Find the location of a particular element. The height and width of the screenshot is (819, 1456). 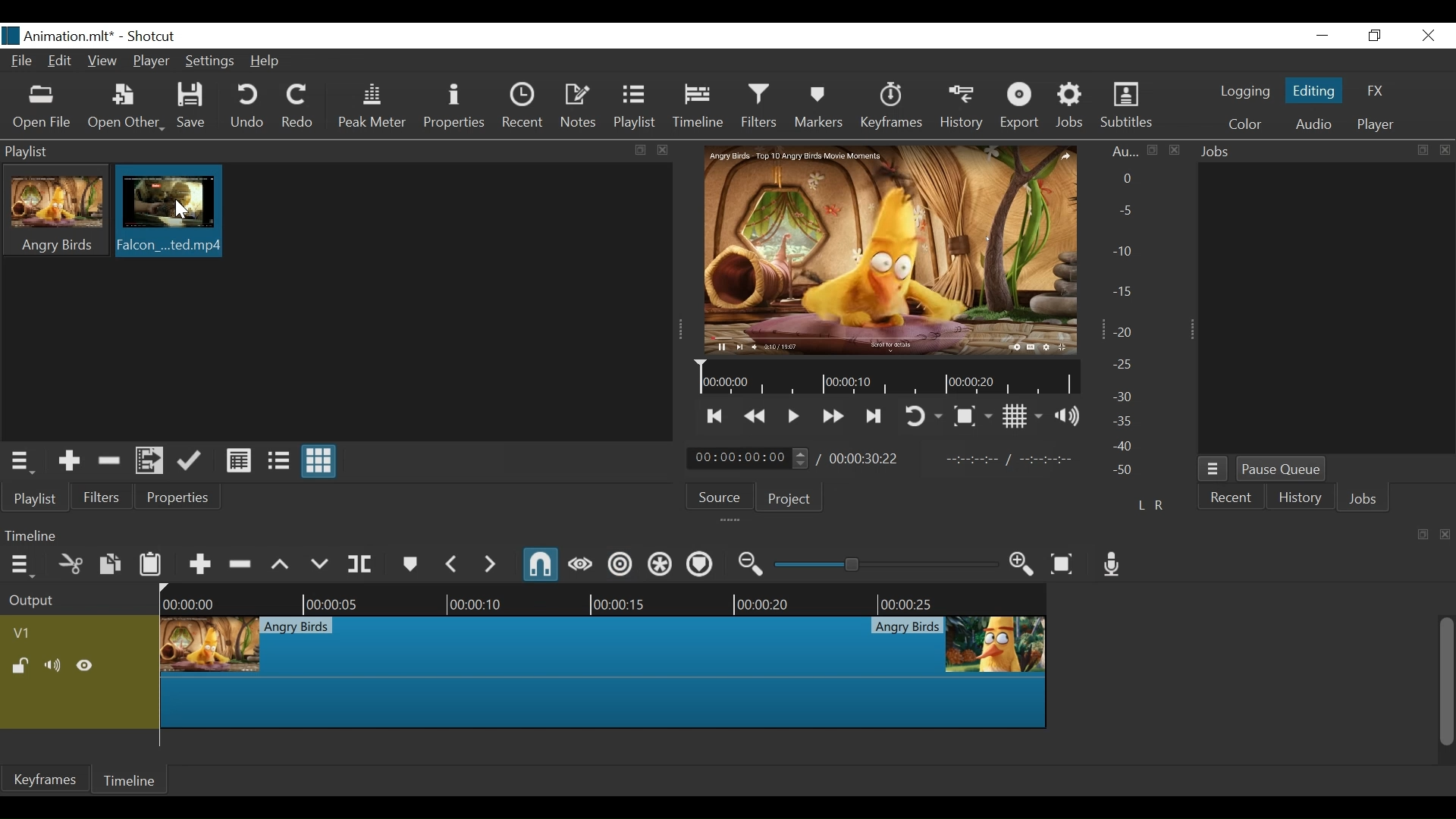

Color is located at coordinates (1248, 124).